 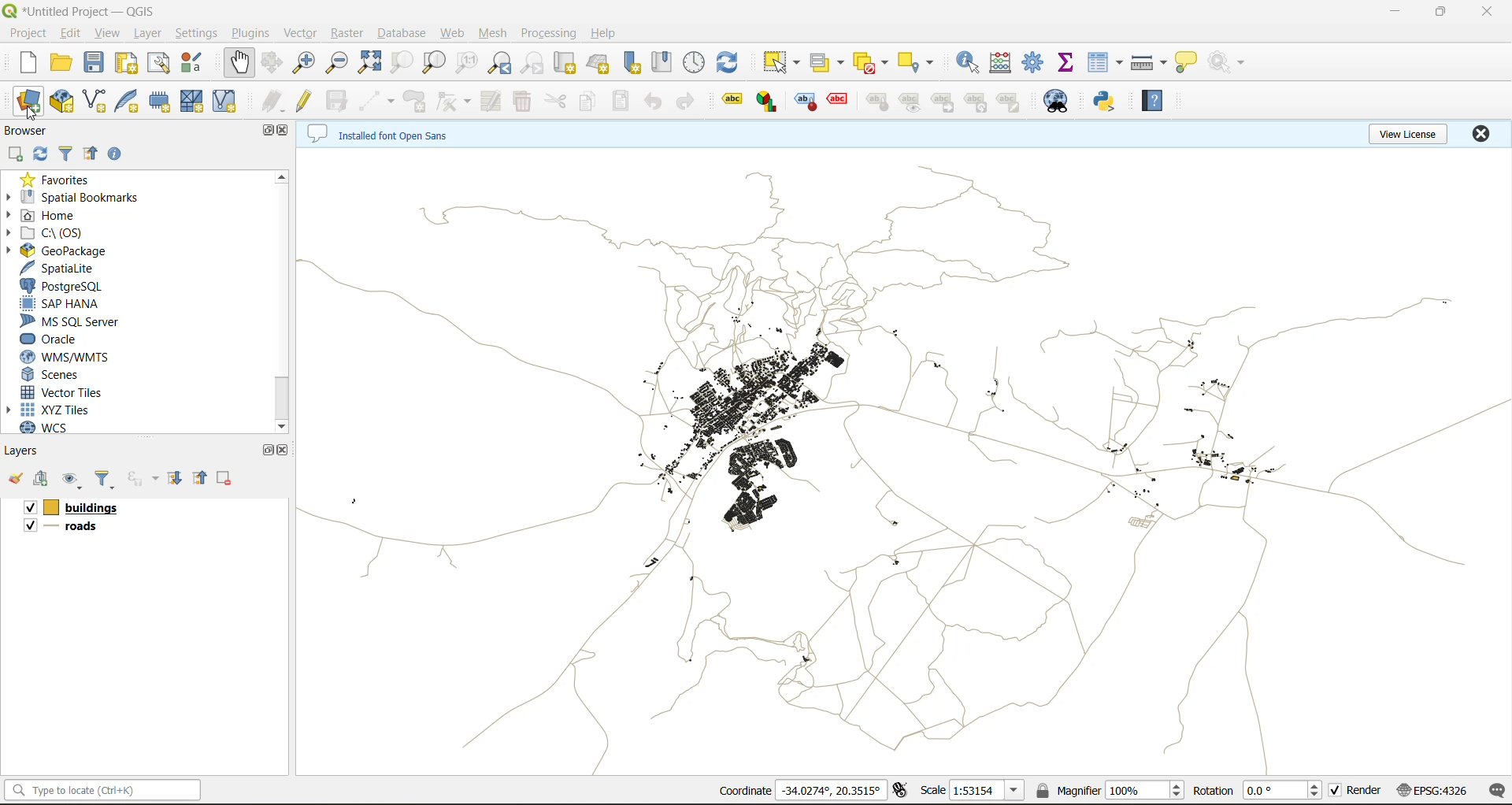 I want to click on settings, so click(x=196, y=35).